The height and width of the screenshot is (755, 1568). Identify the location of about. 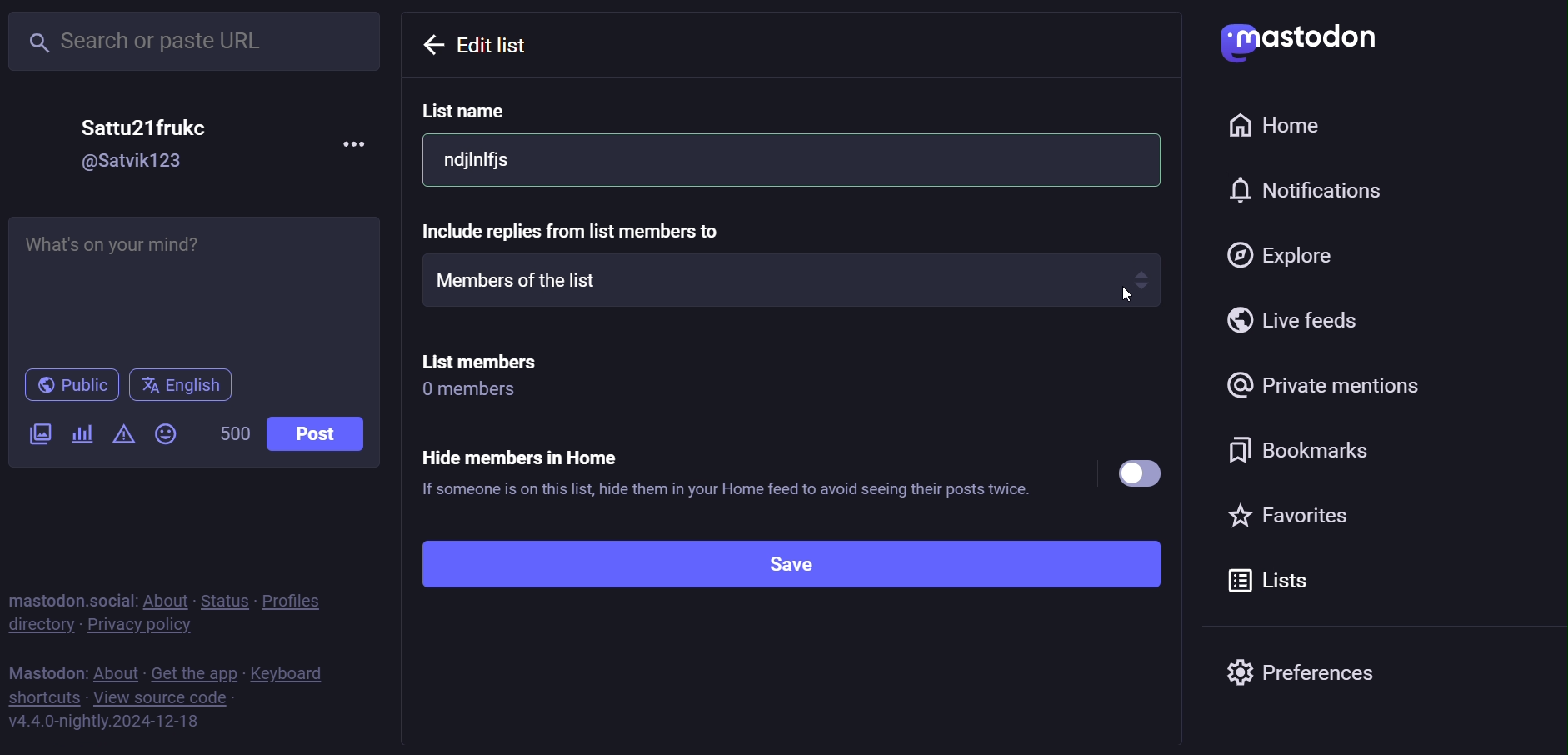
(165, 598).